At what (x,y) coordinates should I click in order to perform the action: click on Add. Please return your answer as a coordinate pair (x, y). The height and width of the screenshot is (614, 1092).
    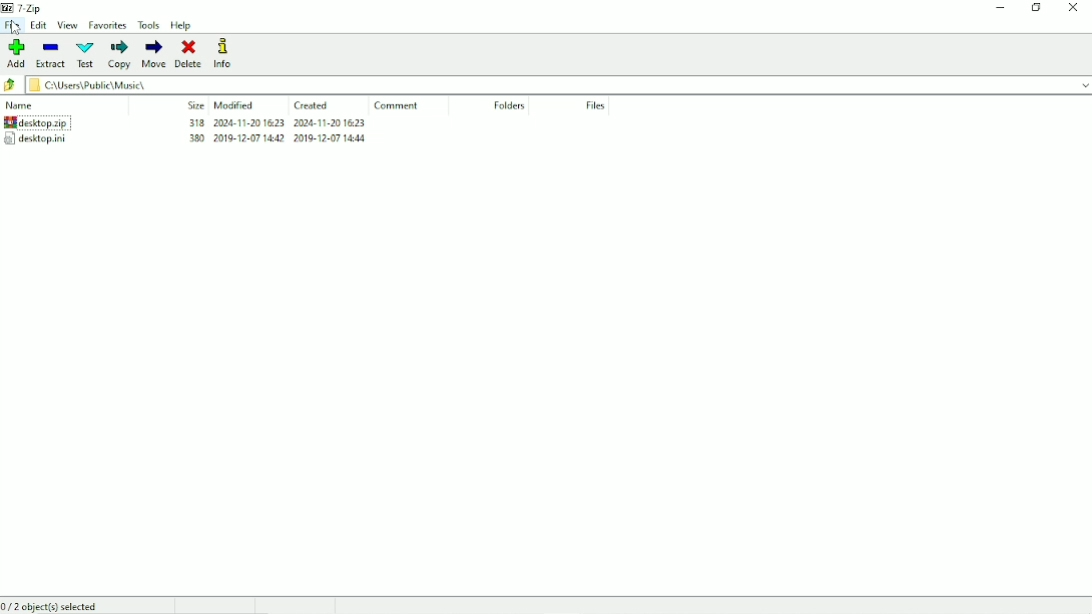
    Looking at the image, I should click on (15, 54).